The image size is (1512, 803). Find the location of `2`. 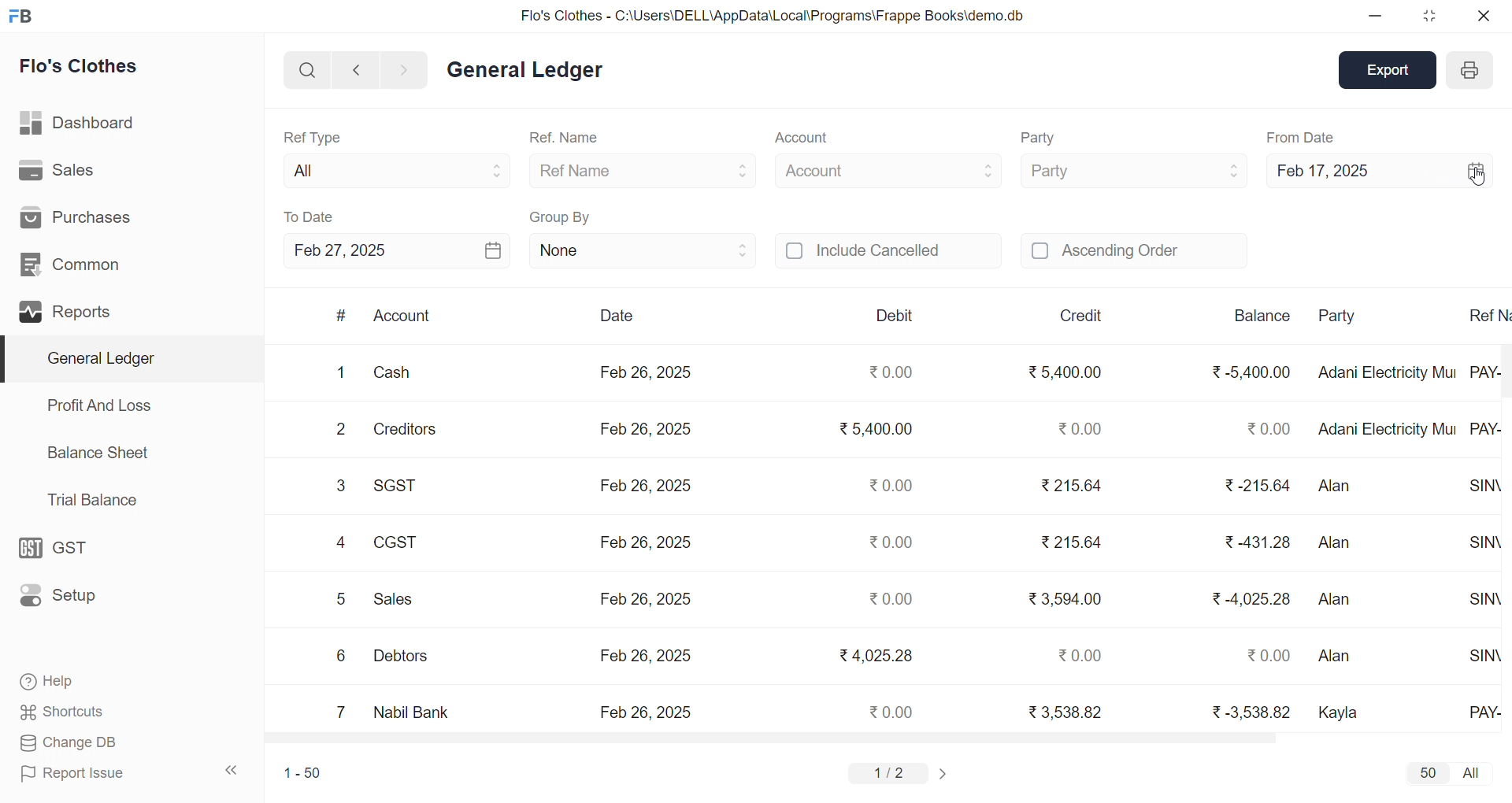

2 is located at coordinates (341, 428).